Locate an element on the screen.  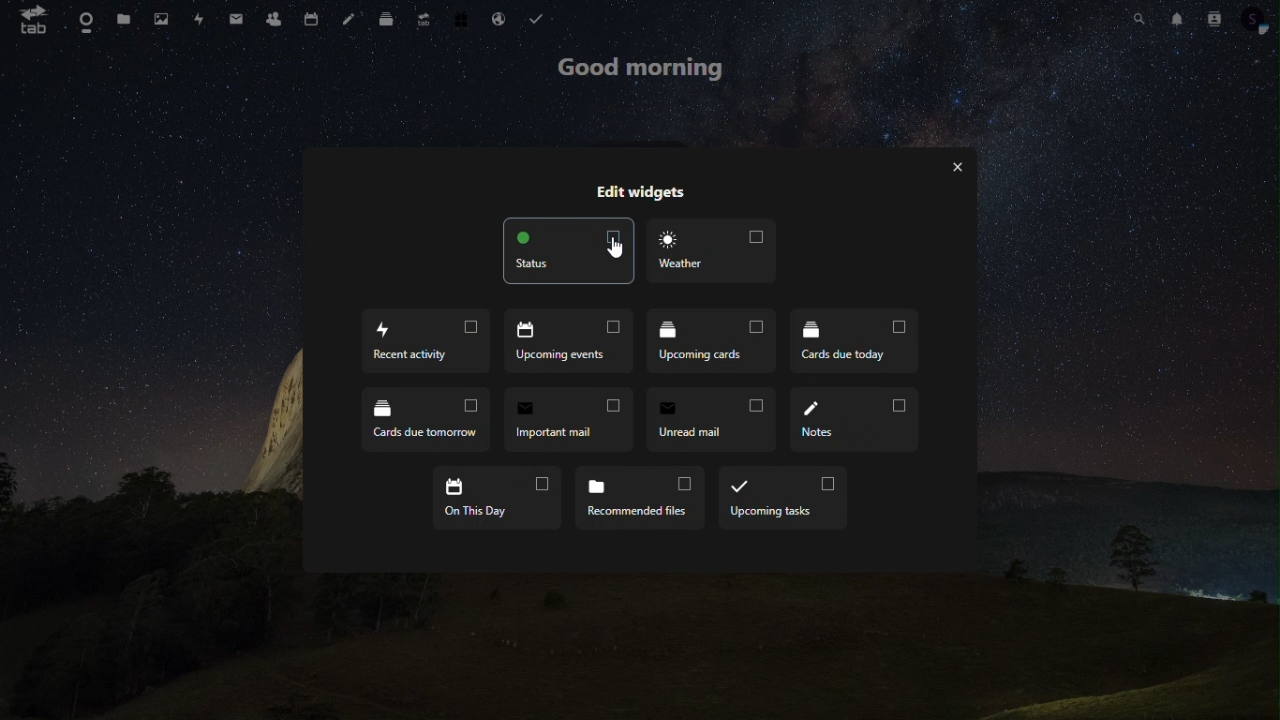
unread mail is located at coordinates (712, 417).